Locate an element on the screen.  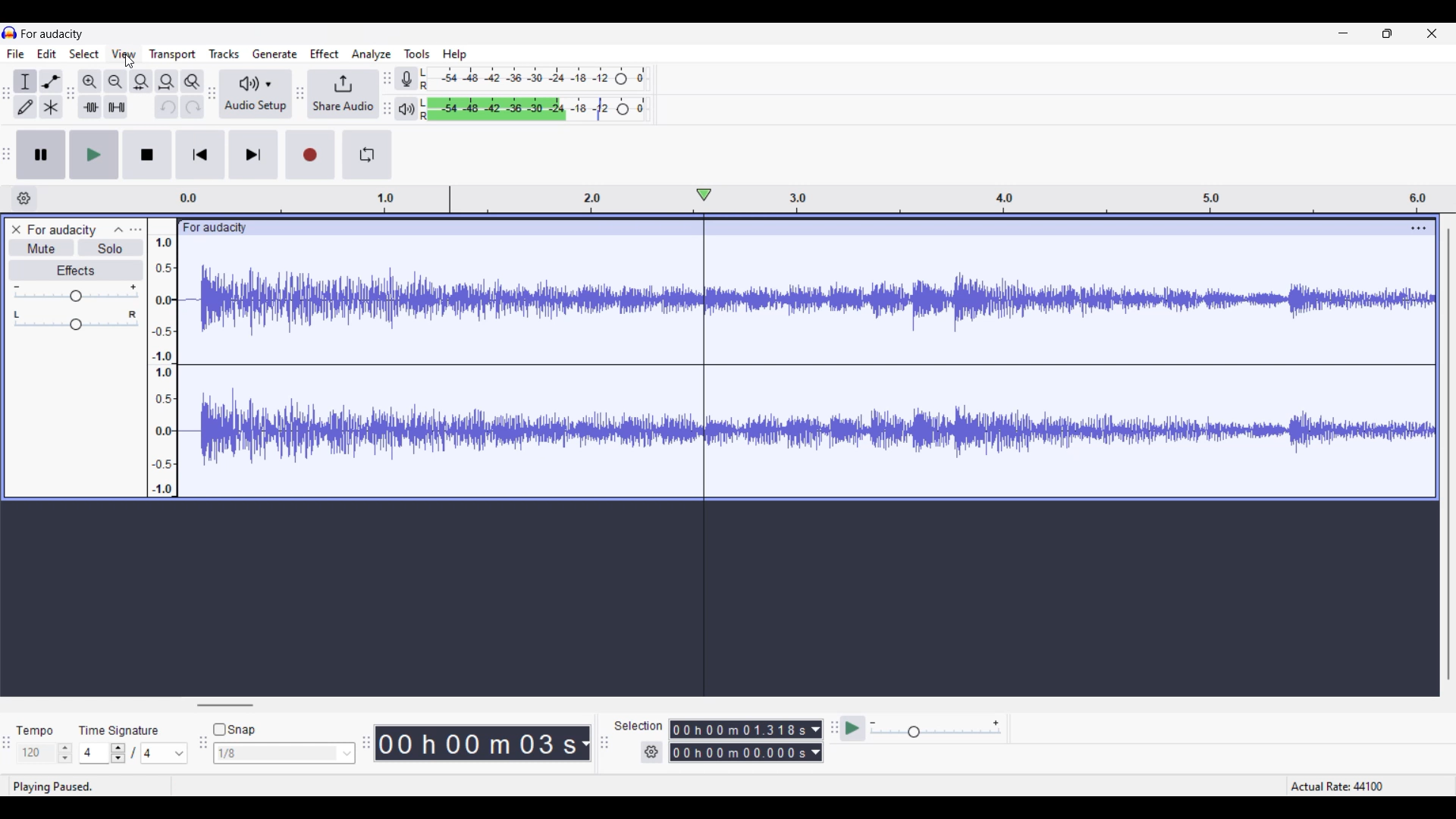
Selection duration measurement options is located at coordinates (815, 741).